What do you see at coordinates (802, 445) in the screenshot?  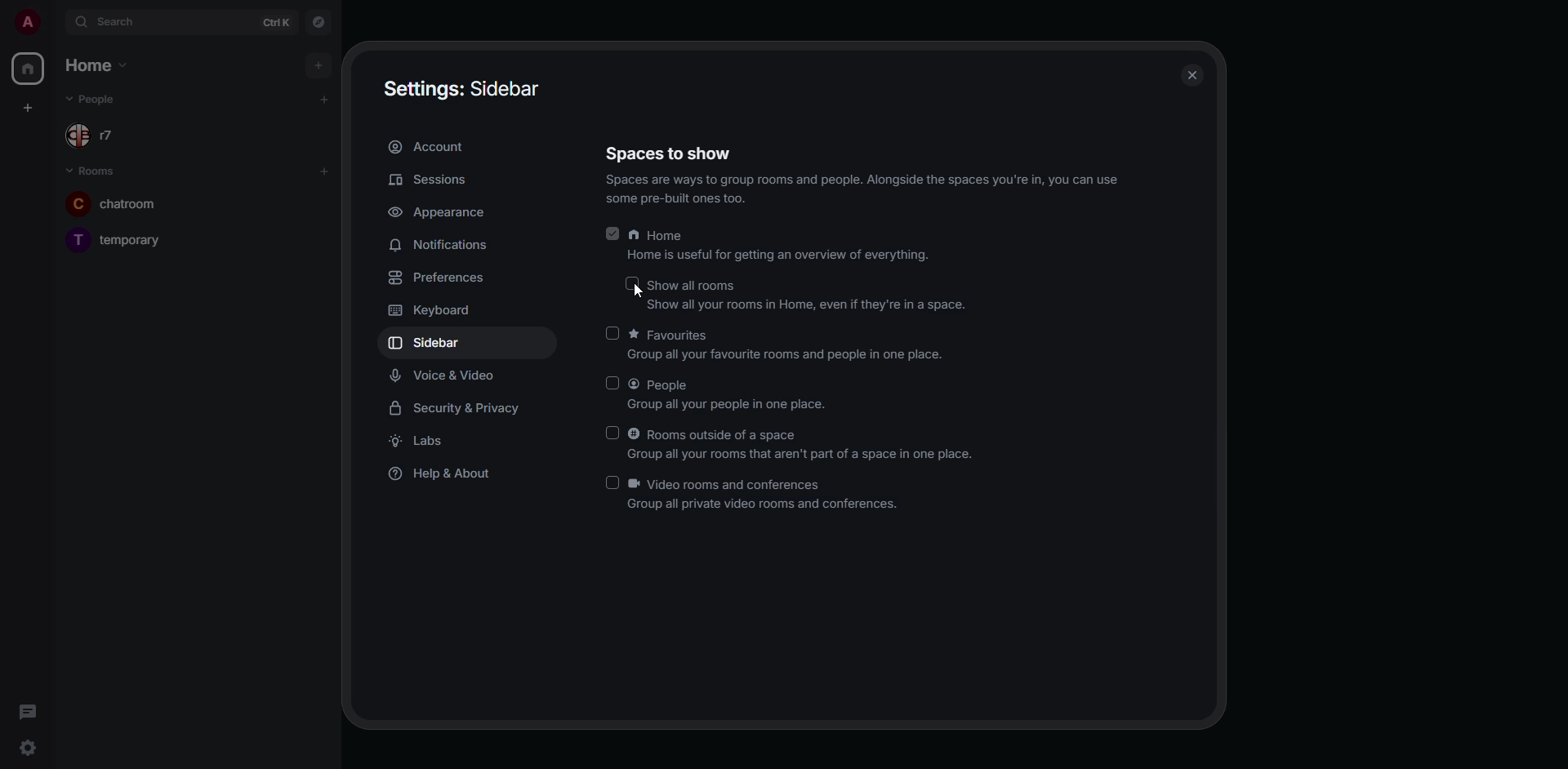 I see `rooms outside of a space` at bounding box center [802, 445].